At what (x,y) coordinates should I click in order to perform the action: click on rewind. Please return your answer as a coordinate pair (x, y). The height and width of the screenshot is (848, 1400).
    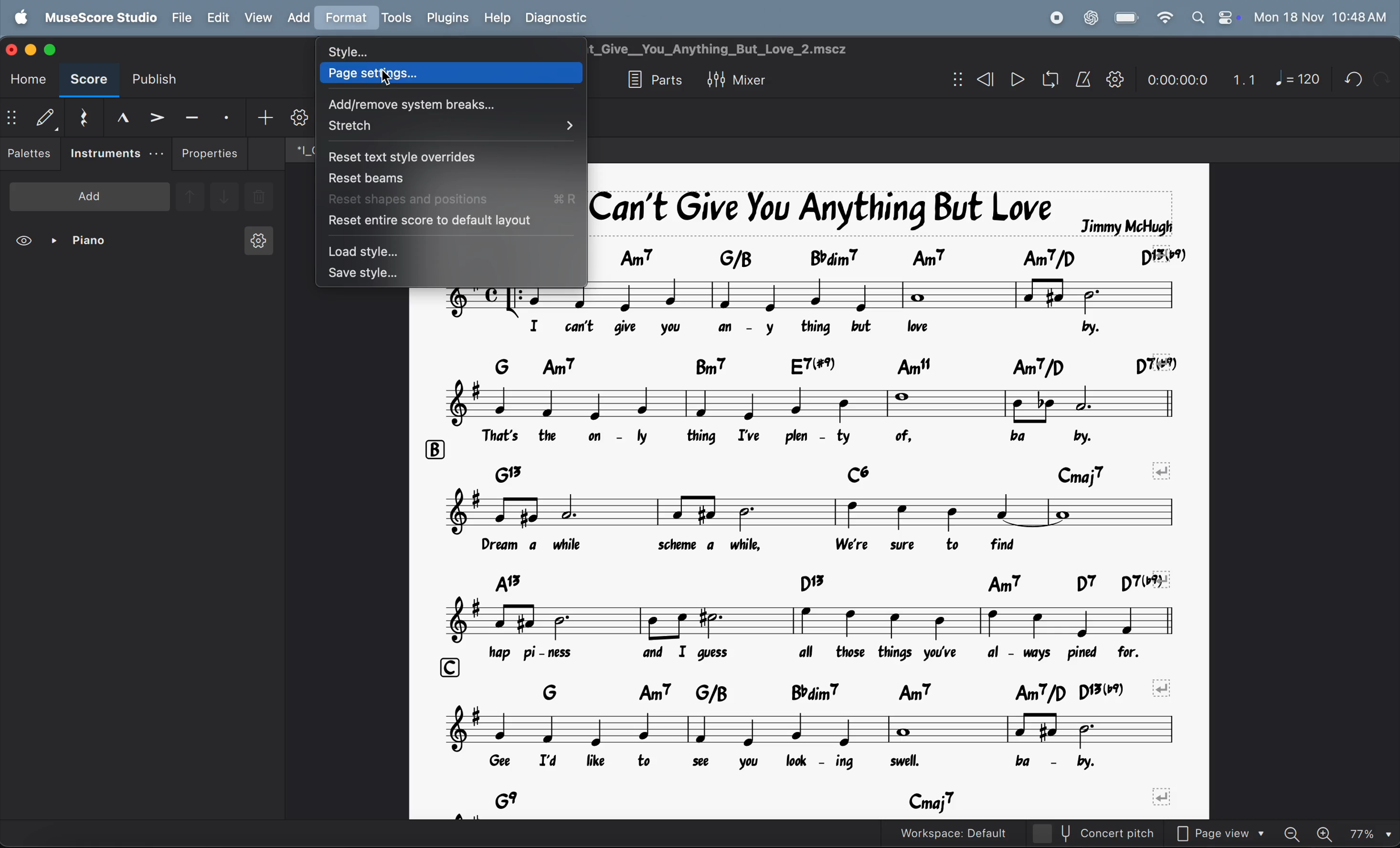
    Looking at the image, I should click on (983, 80).